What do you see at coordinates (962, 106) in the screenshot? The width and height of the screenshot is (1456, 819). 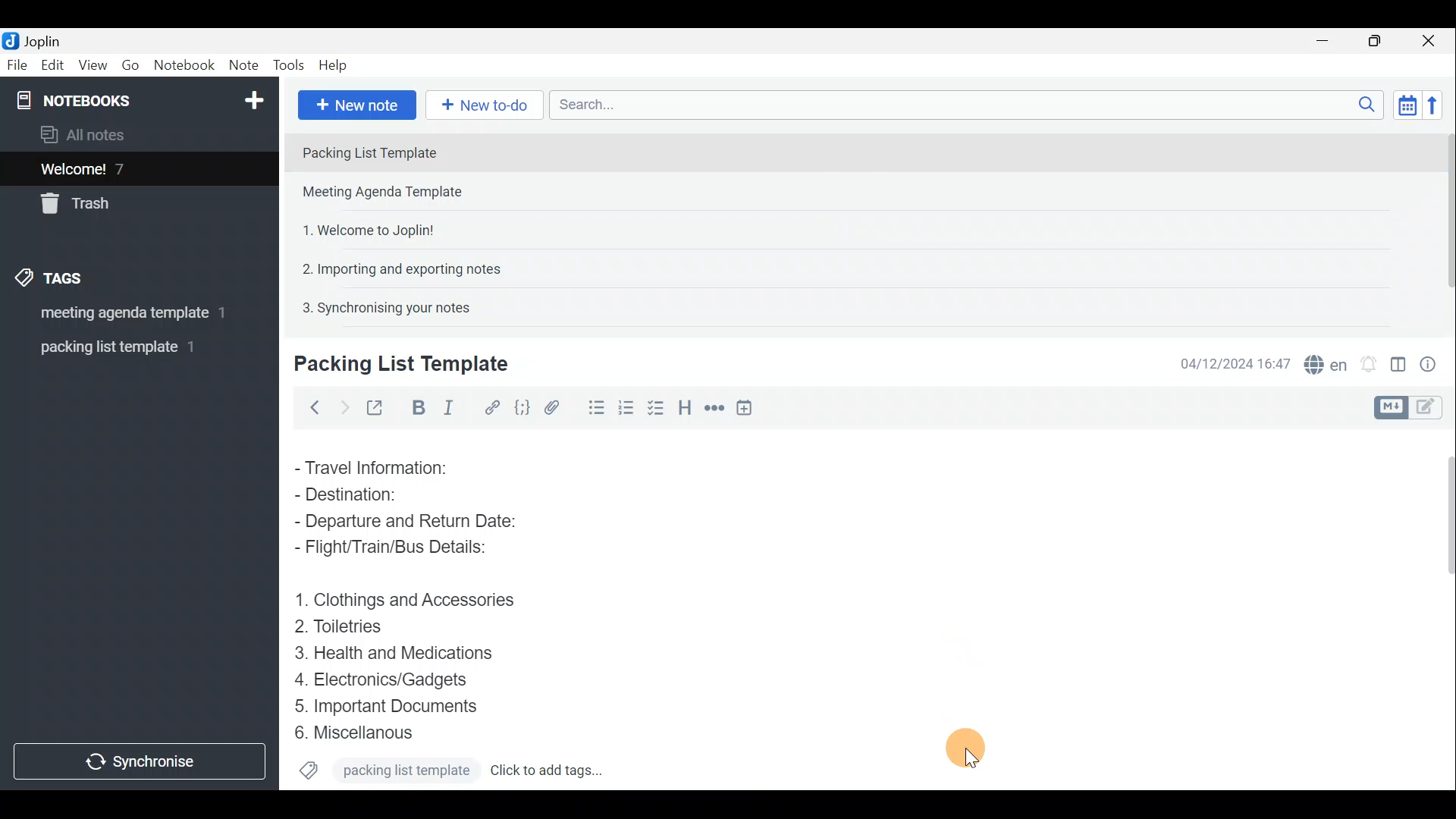 I see `Search bar` at bounding box center [962, 106].